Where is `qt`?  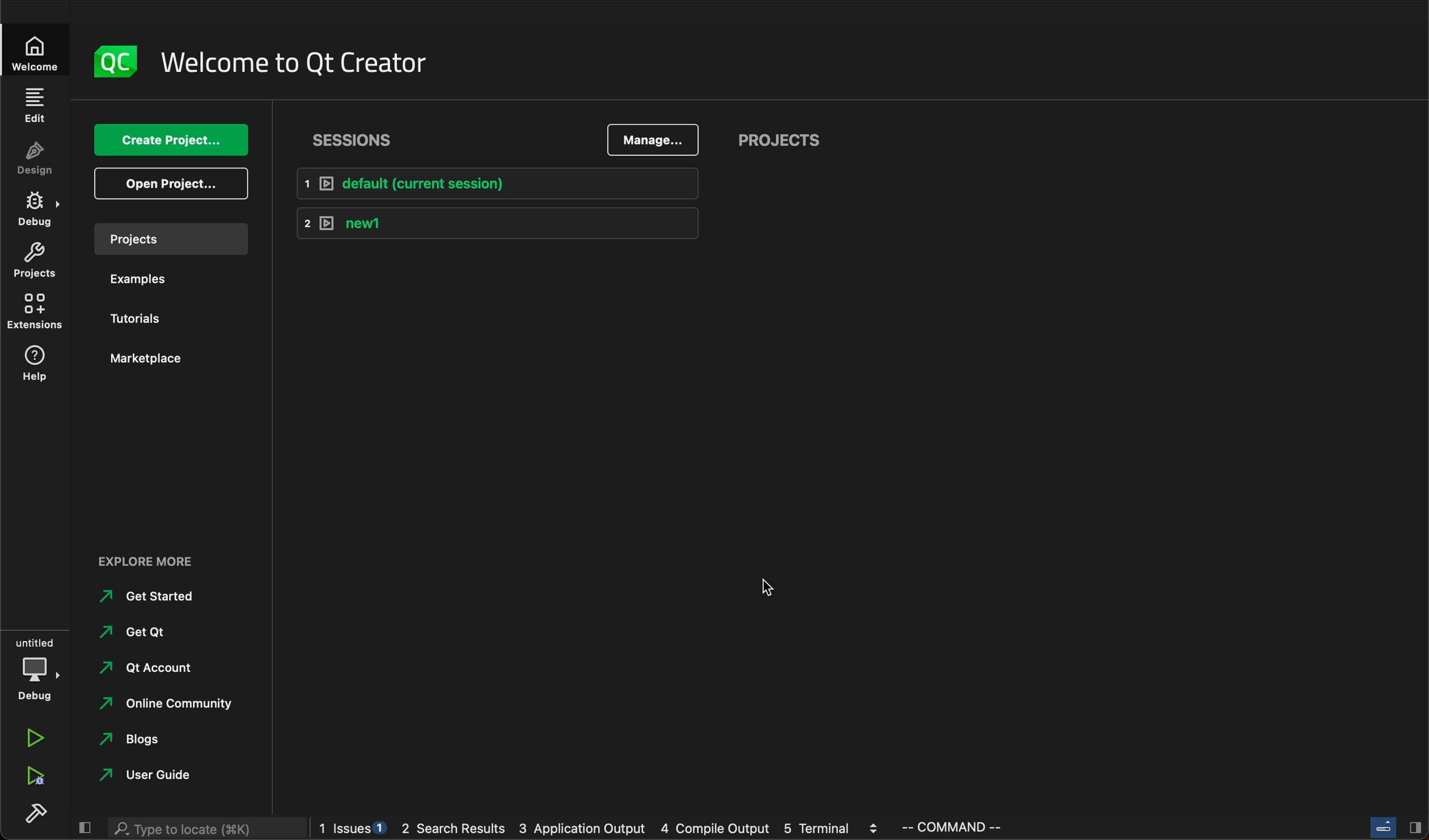 qt is located at coordinates (145, 630).